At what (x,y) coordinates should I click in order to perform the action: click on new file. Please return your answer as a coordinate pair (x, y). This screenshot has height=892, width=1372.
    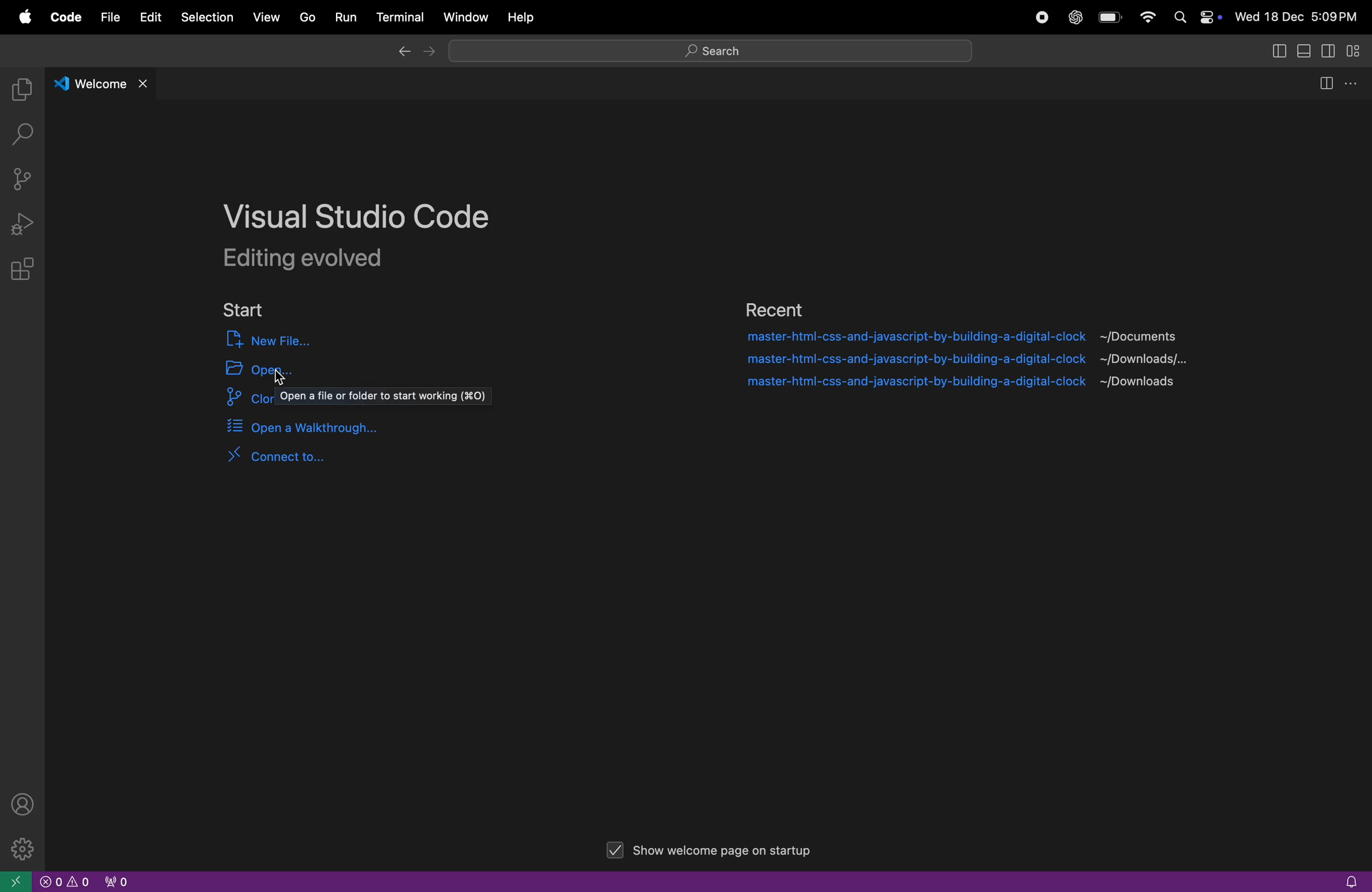
    Looking at the image, I should click on (291, 340).